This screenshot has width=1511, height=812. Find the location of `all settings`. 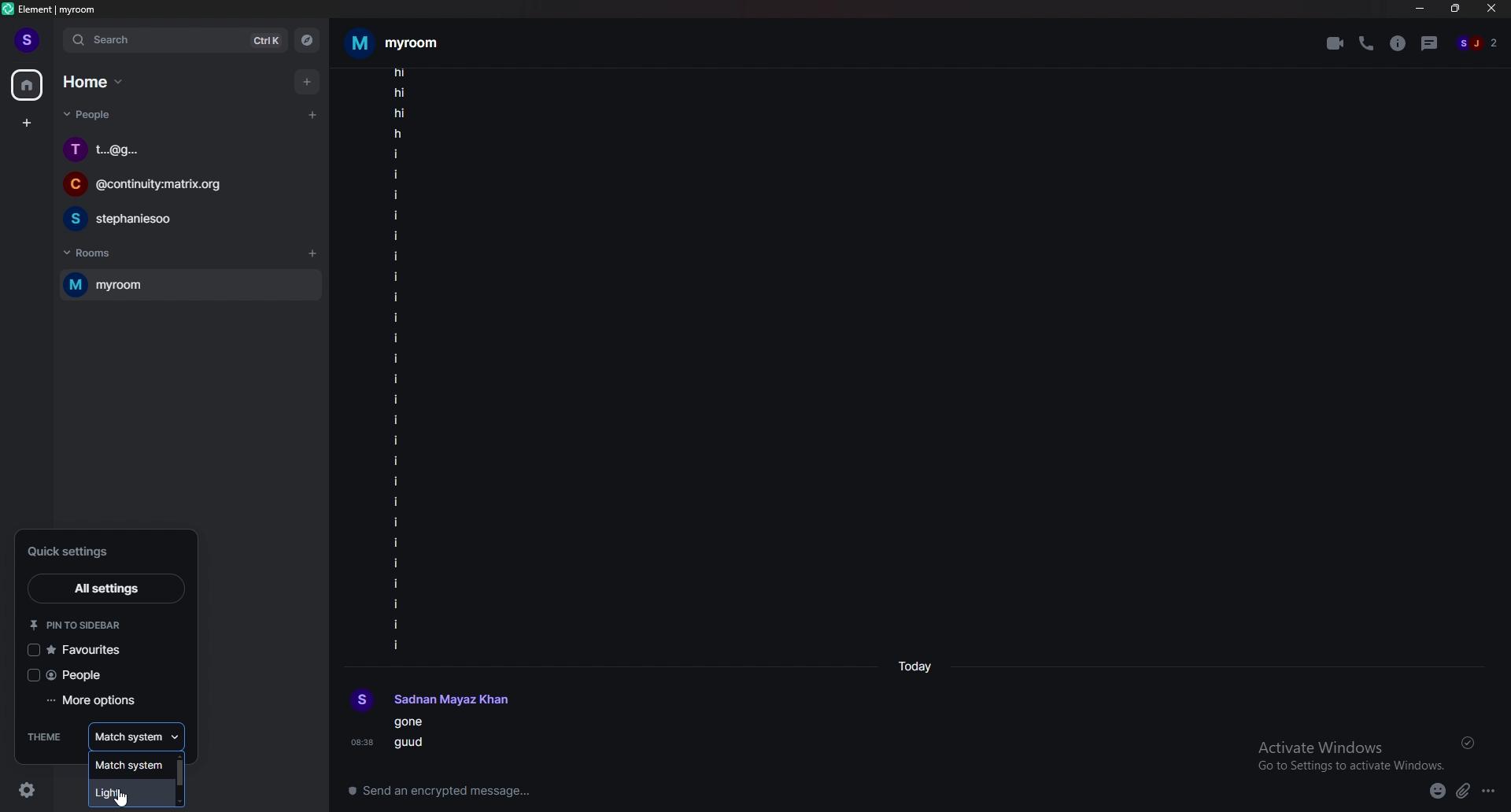

all settings is located at coordinates (106, 588).